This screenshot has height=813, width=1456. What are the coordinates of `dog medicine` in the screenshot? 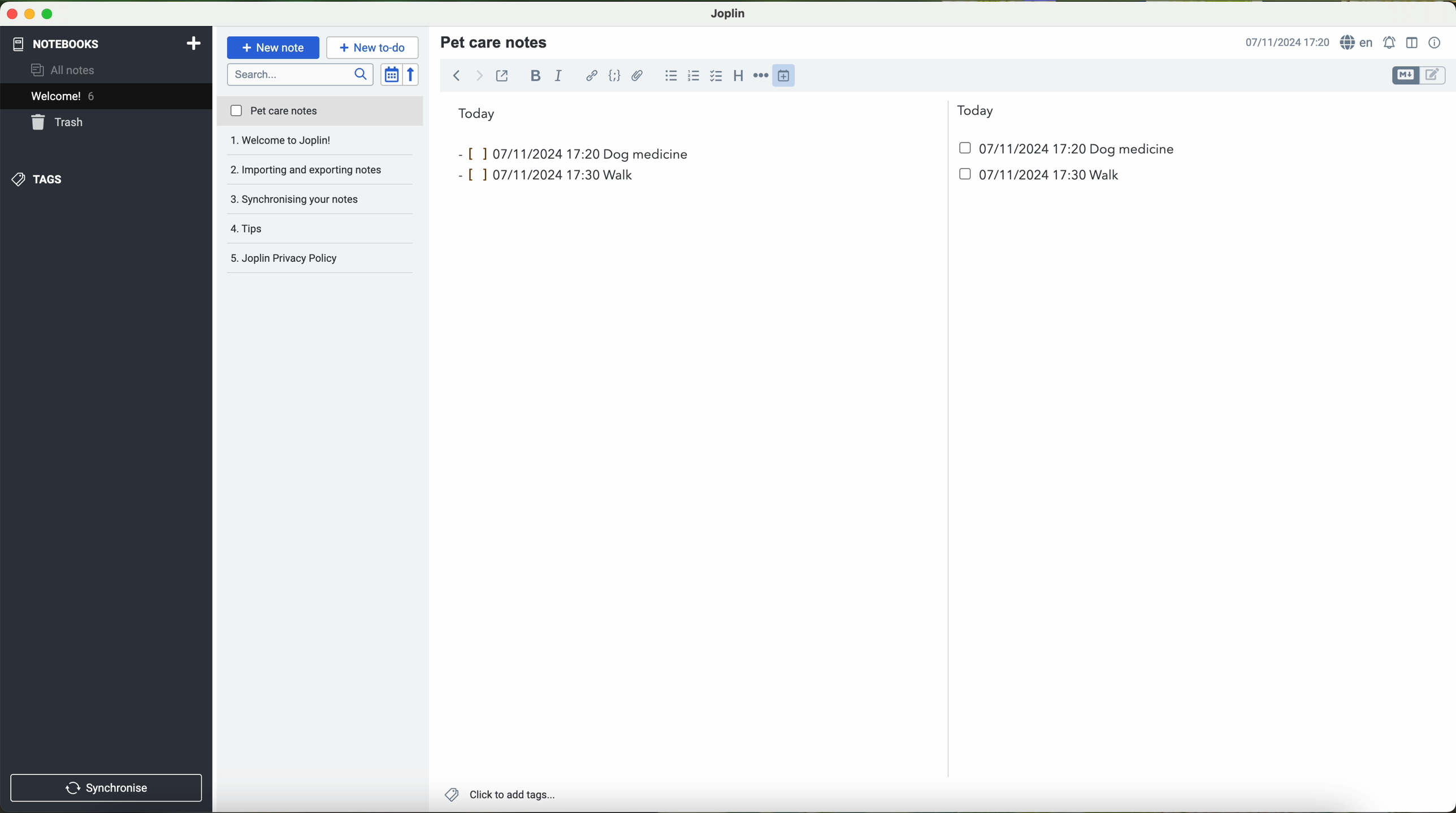 It's located at (1133, 150).